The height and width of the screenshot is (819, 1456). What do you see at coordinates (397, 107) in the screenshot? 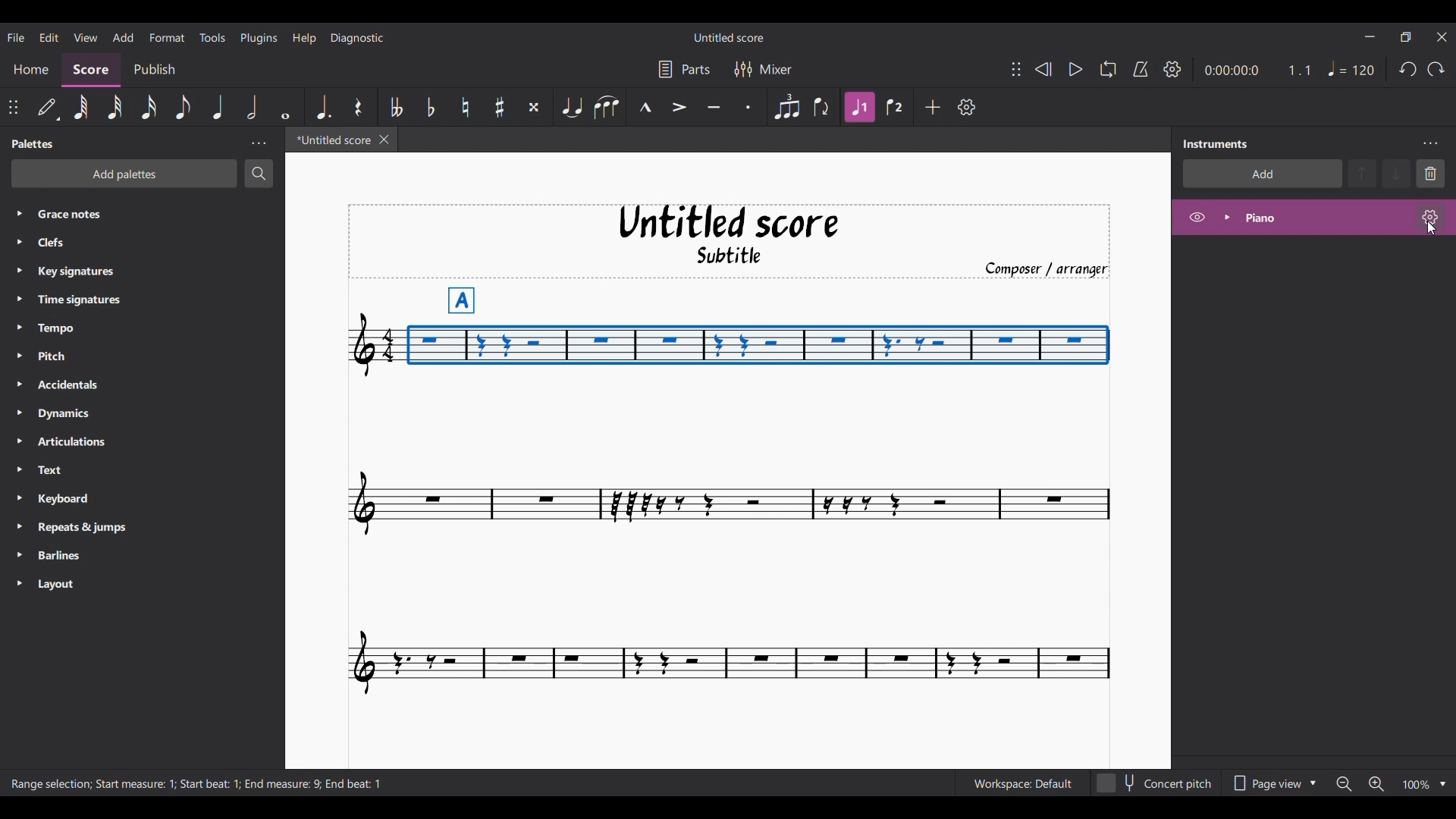
I see `Toggle double flat` at bounding box center [397, 107].